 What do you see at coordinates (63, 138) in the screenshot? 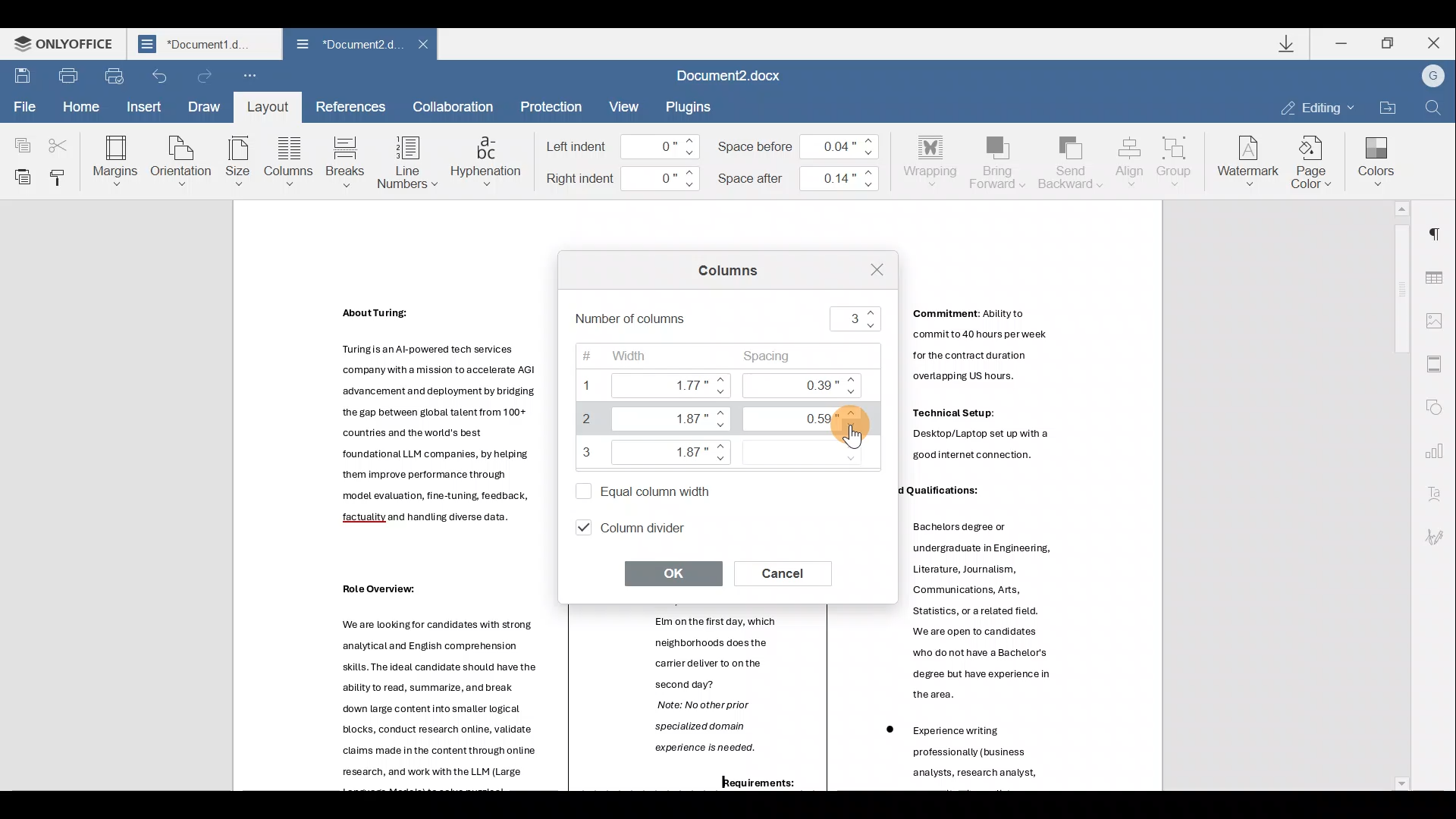
I see `Cut` at bounding box center [63, 138].